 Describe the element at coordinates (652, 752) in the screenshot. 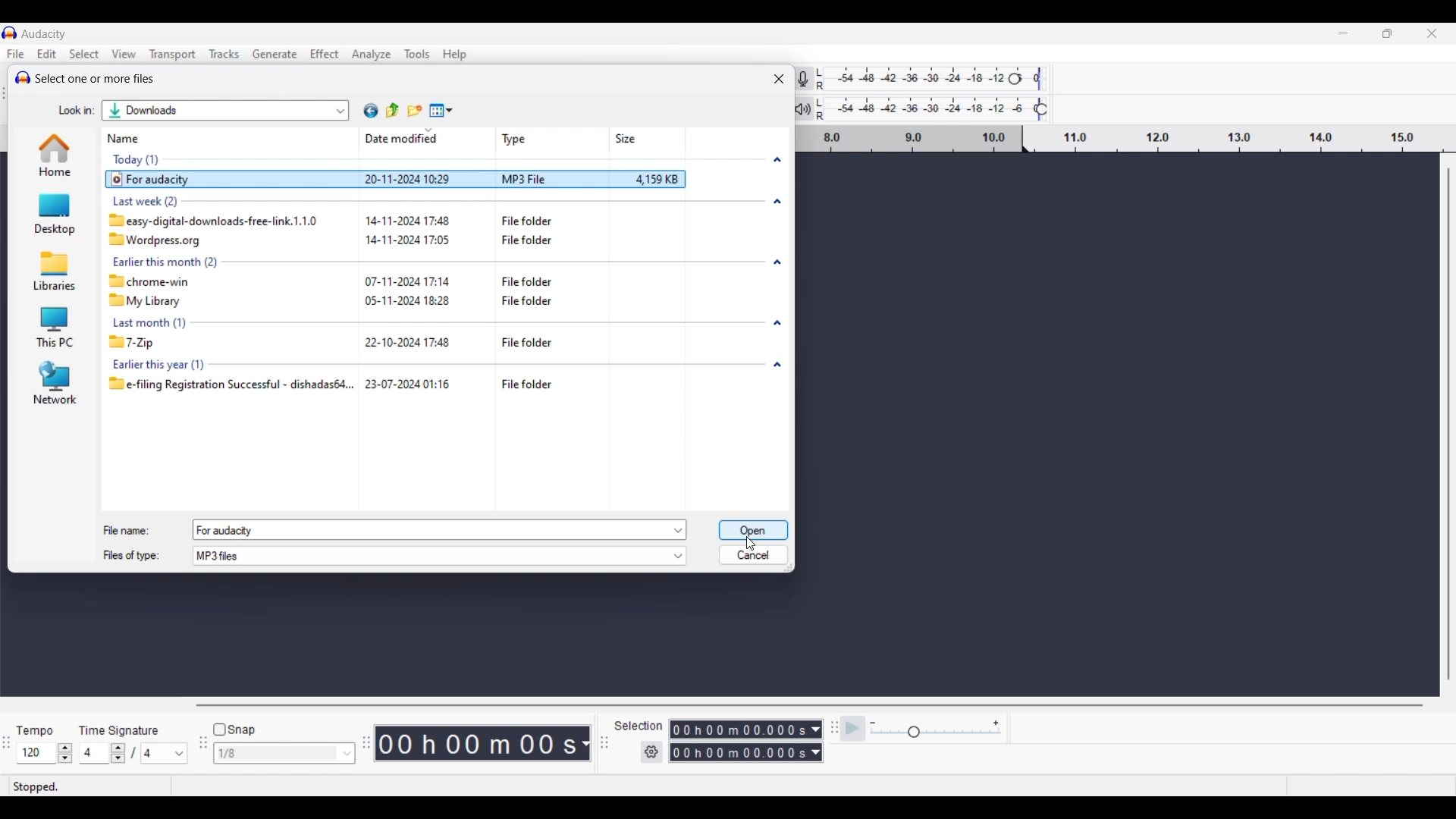

I see `Selection settings` at that location.